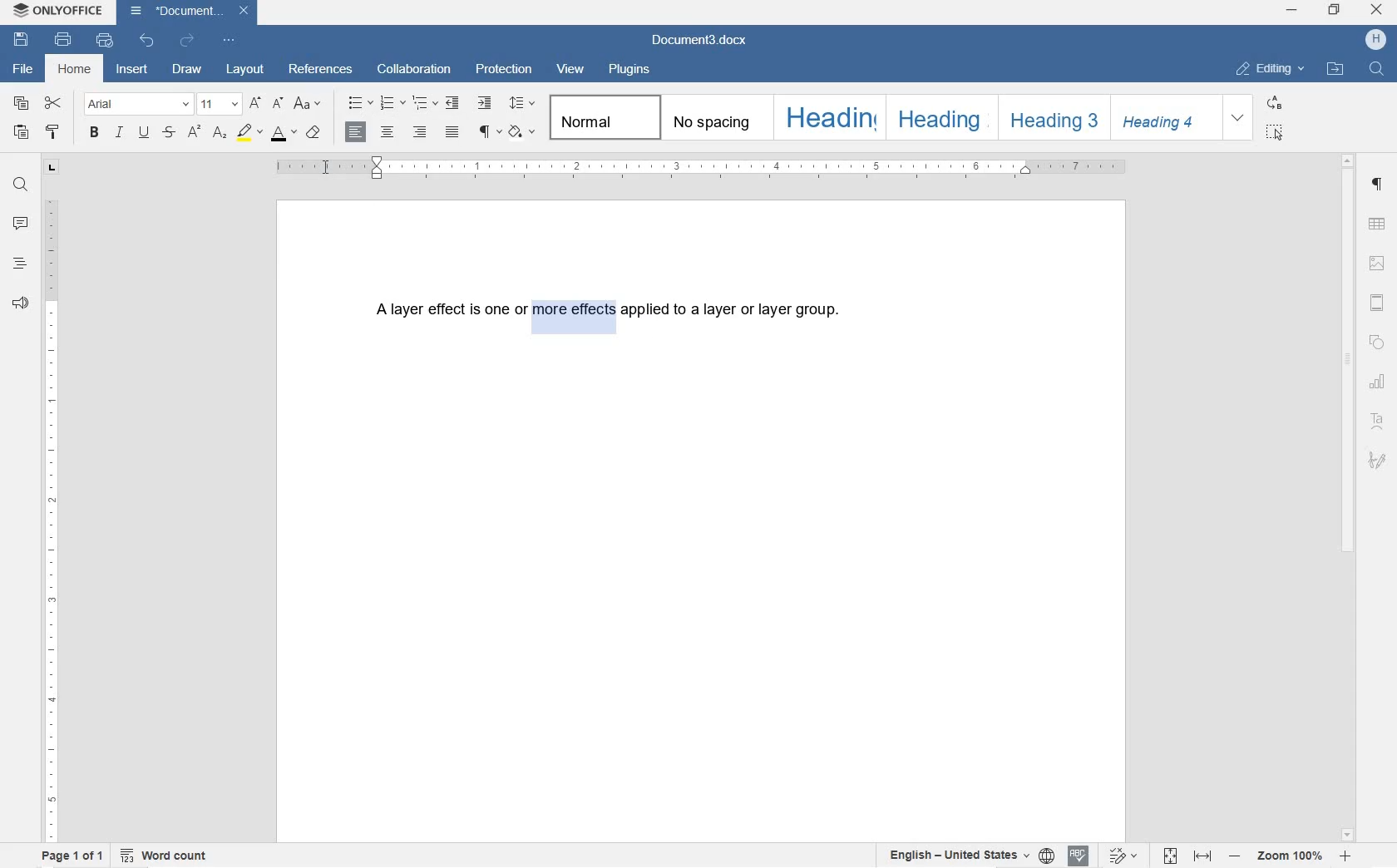 The width and height of the screenshot is (1397, 868). Describe the element at coordinates (1275, 102) in the screenshot. I see `REPLACE` at that location.